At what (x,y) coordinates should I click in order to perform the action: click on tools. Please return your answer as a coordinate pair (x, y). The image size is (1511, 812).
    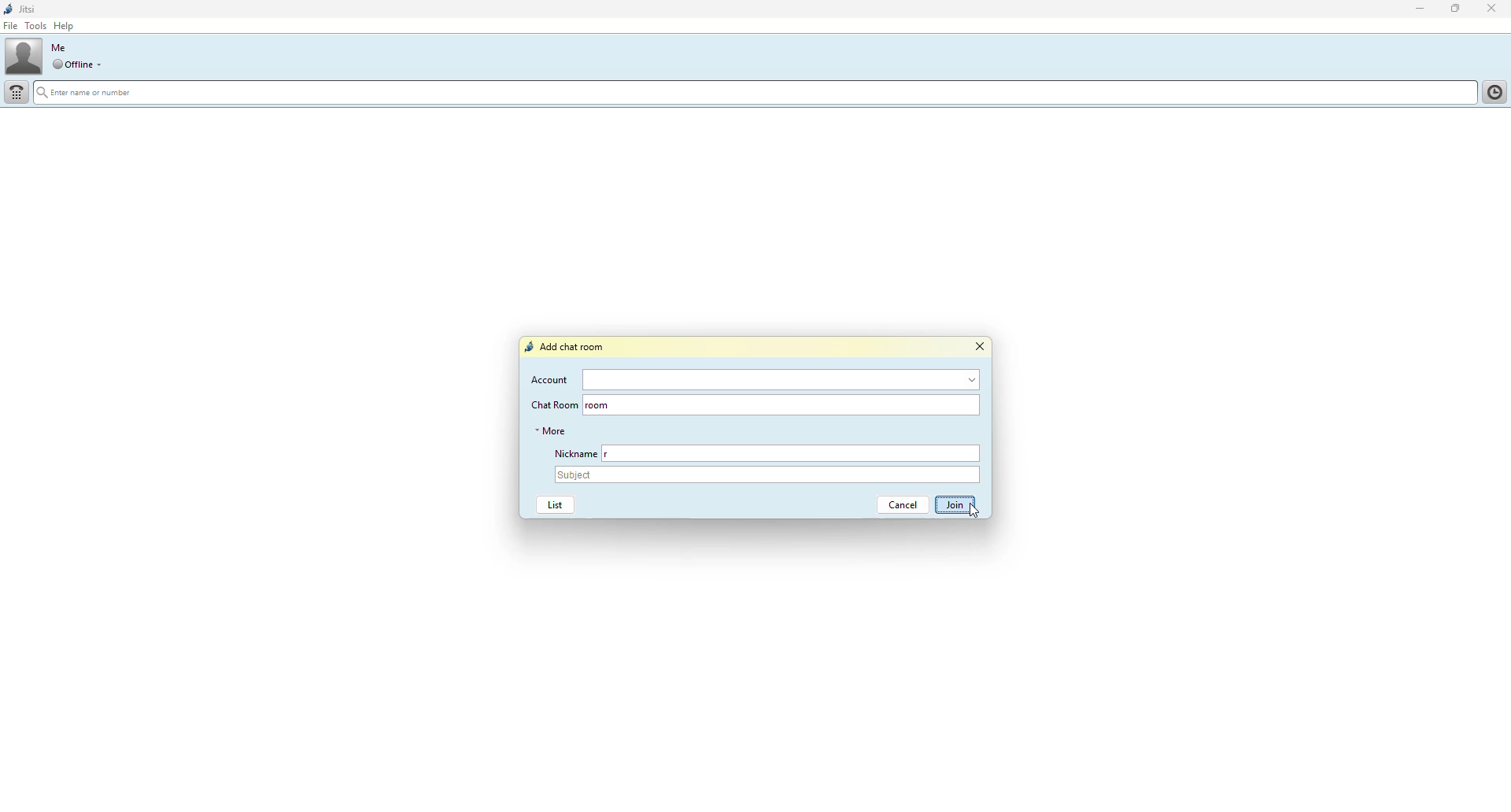
    Looking at the image, I should click on (35, 26).